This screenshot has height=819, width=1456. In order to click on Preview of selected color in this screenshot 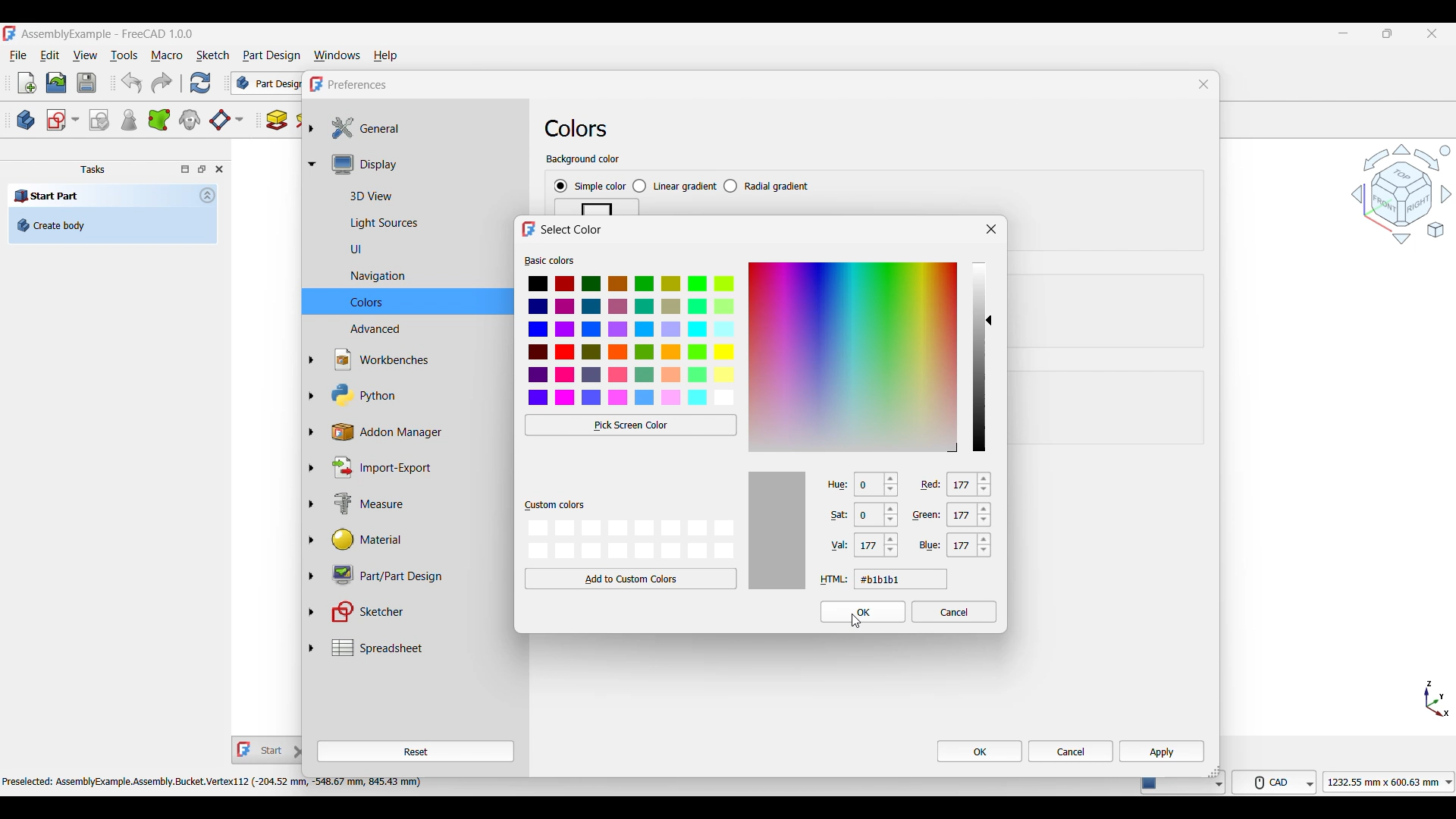, I will do `click(777, 530)`.